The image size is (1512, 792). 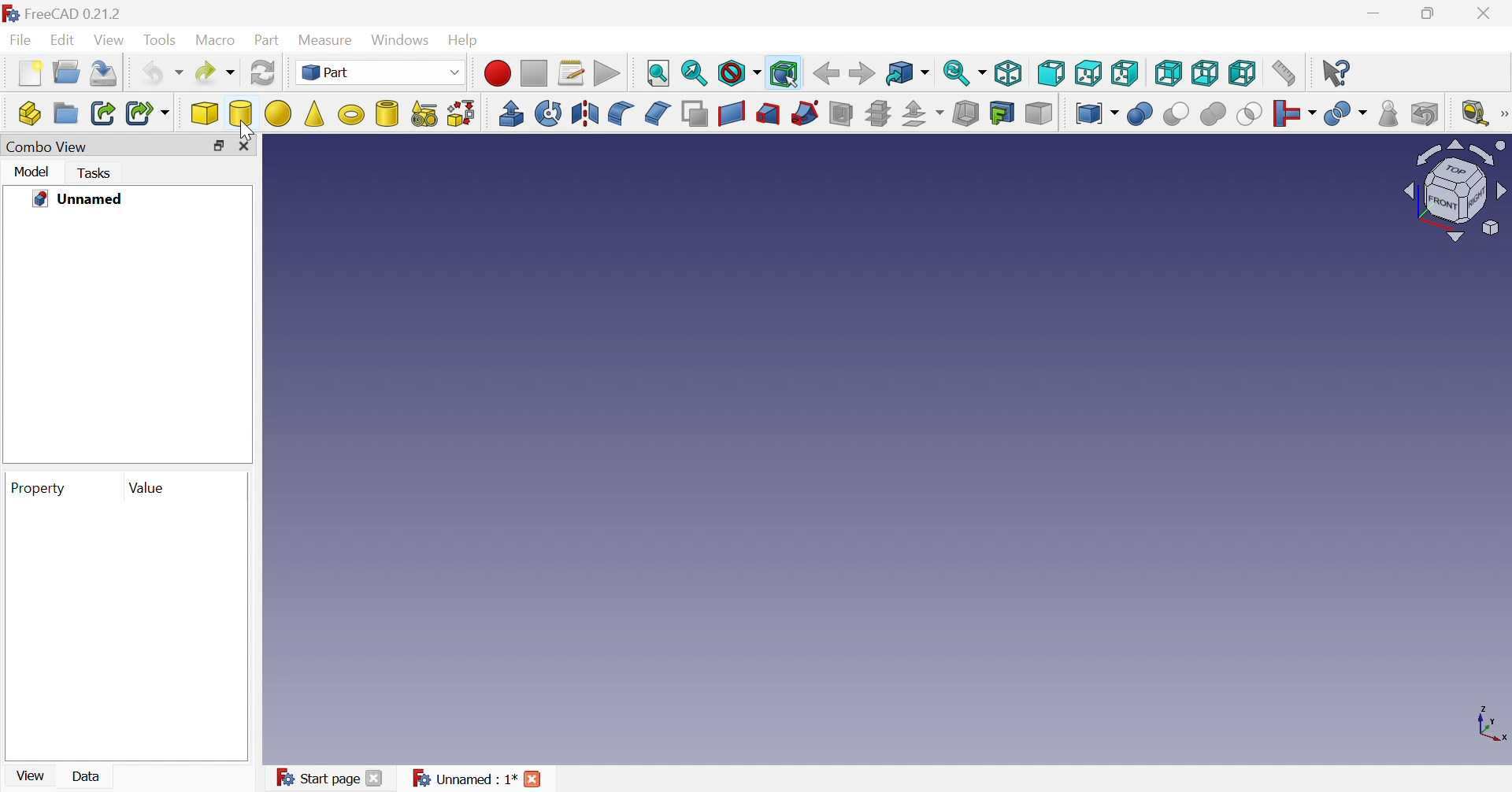 I want to click on Make face from wires, so click(x=695, y=116).